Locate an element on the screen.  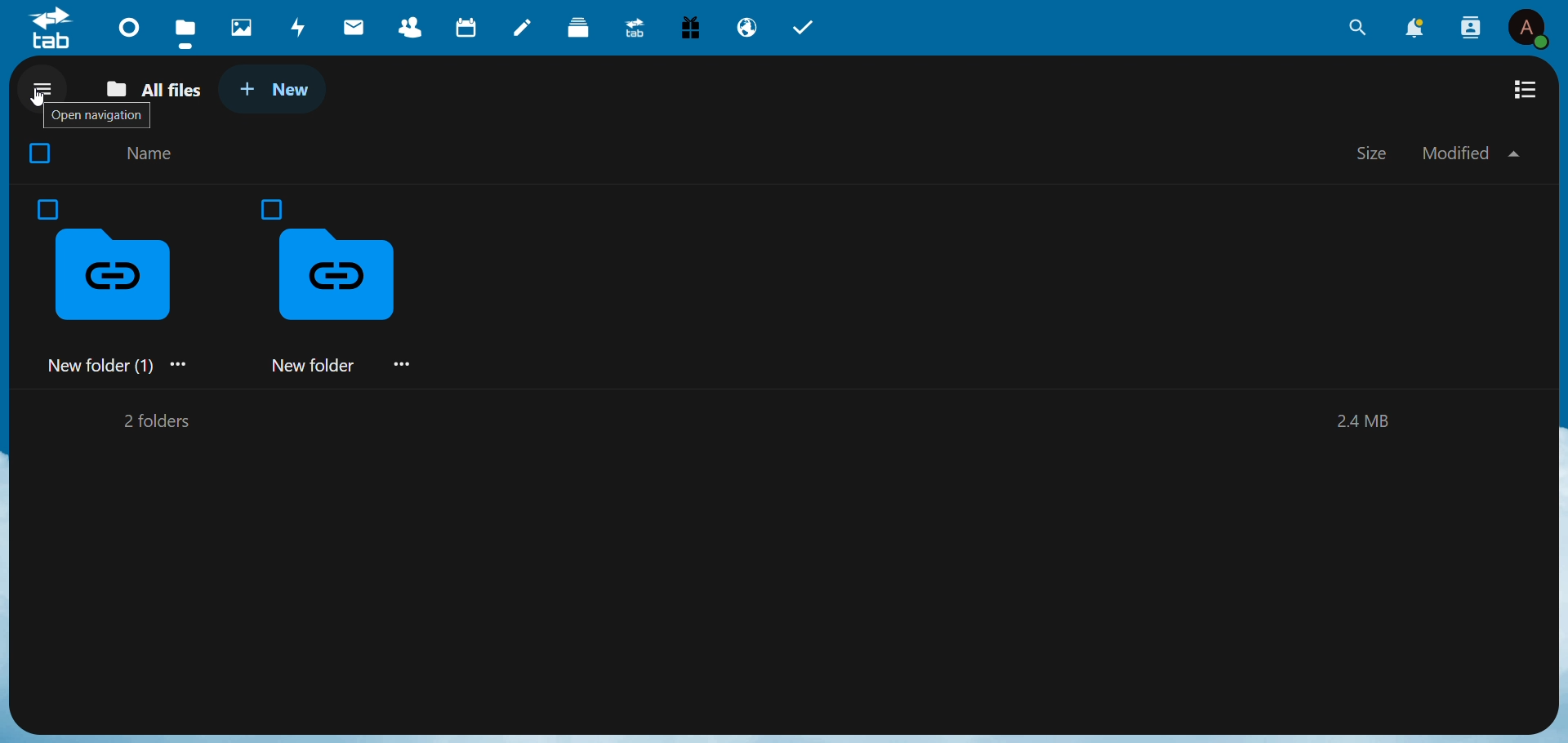
checkbox is located at coordinates (46, 208).